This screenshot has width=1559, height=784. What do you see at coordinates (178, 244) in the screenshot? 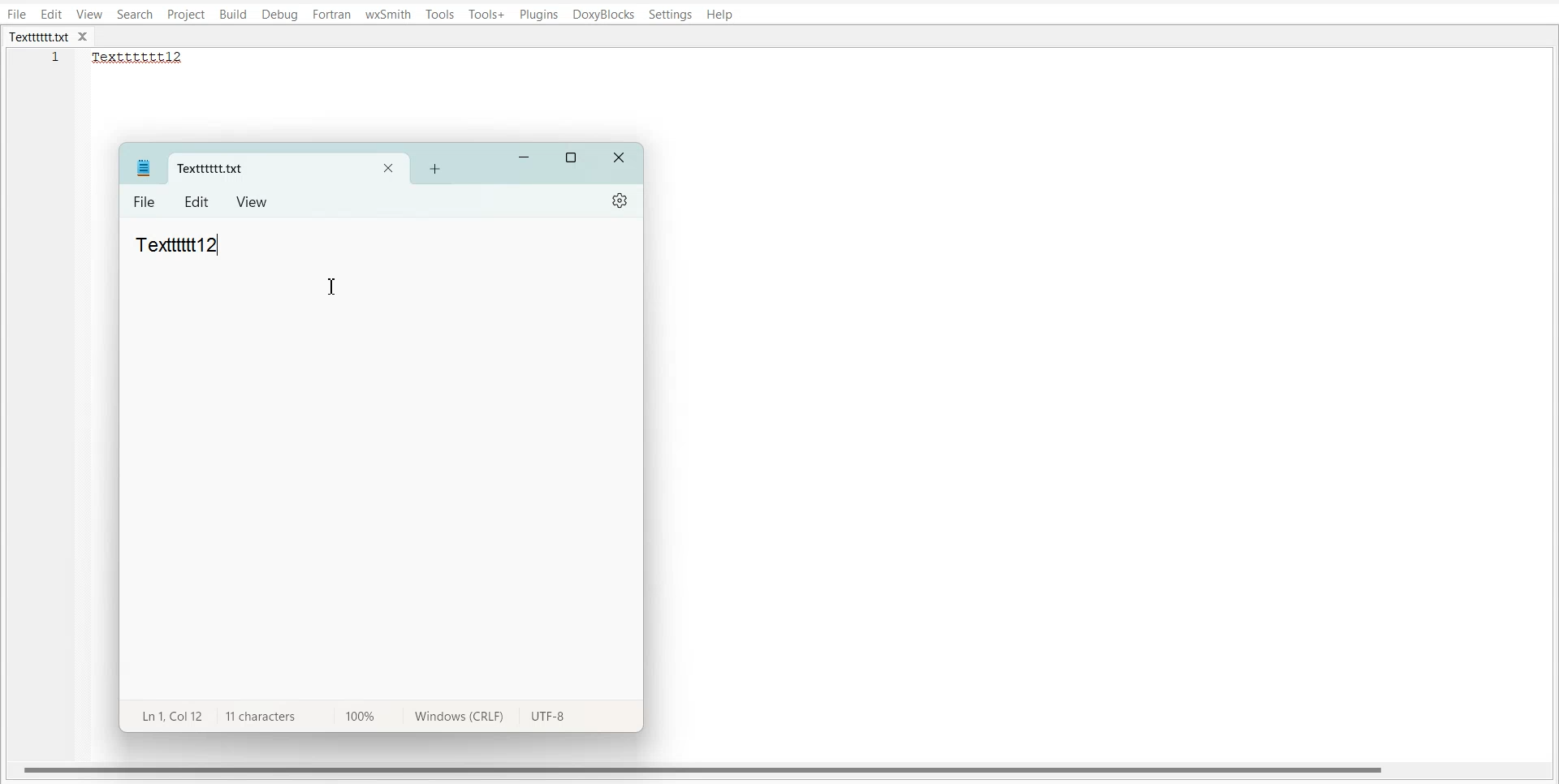
I see `Text` at bounding box center [178, 244].